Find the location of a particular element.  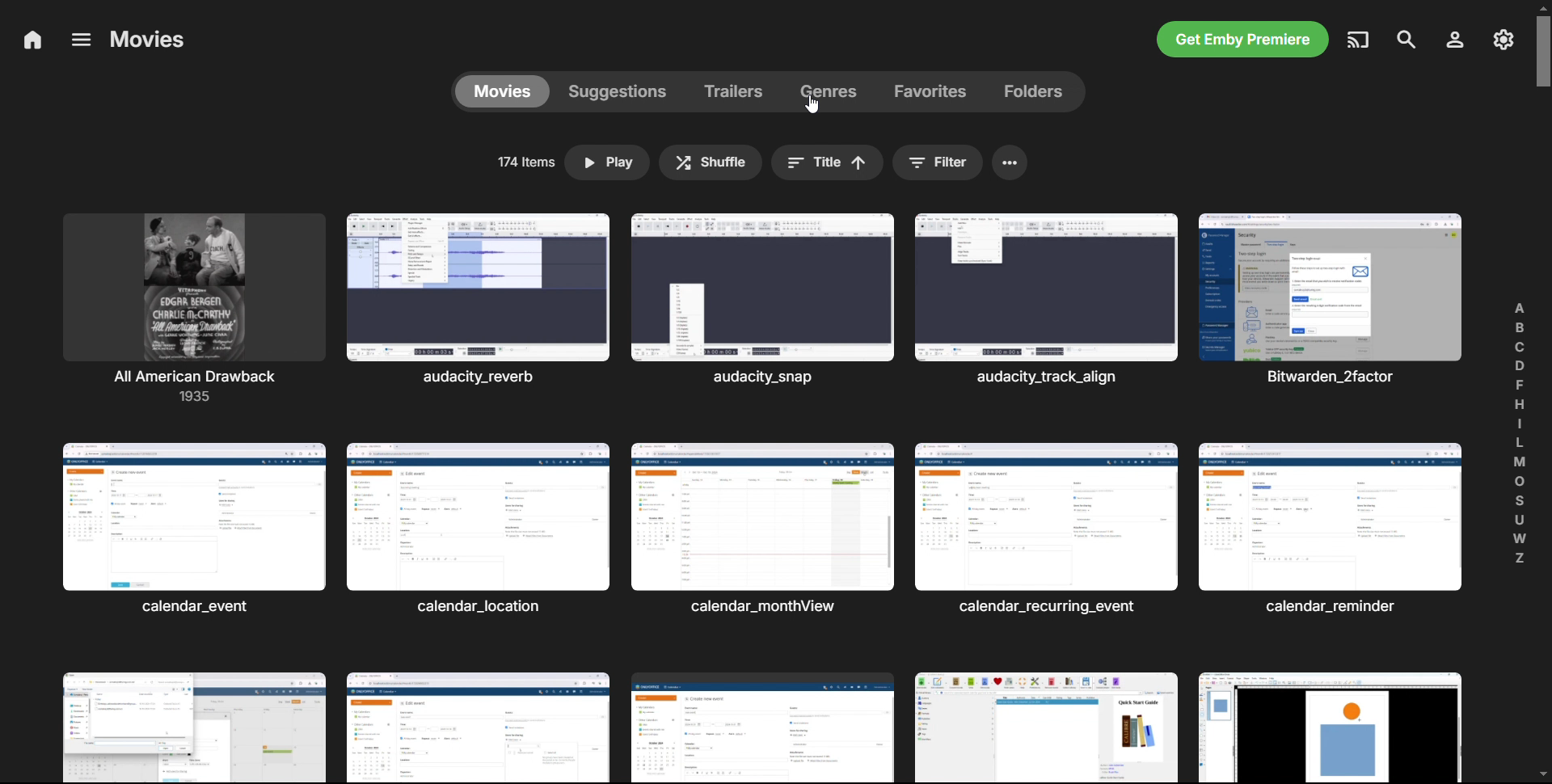

folders is located at coordinates (1035, 91).